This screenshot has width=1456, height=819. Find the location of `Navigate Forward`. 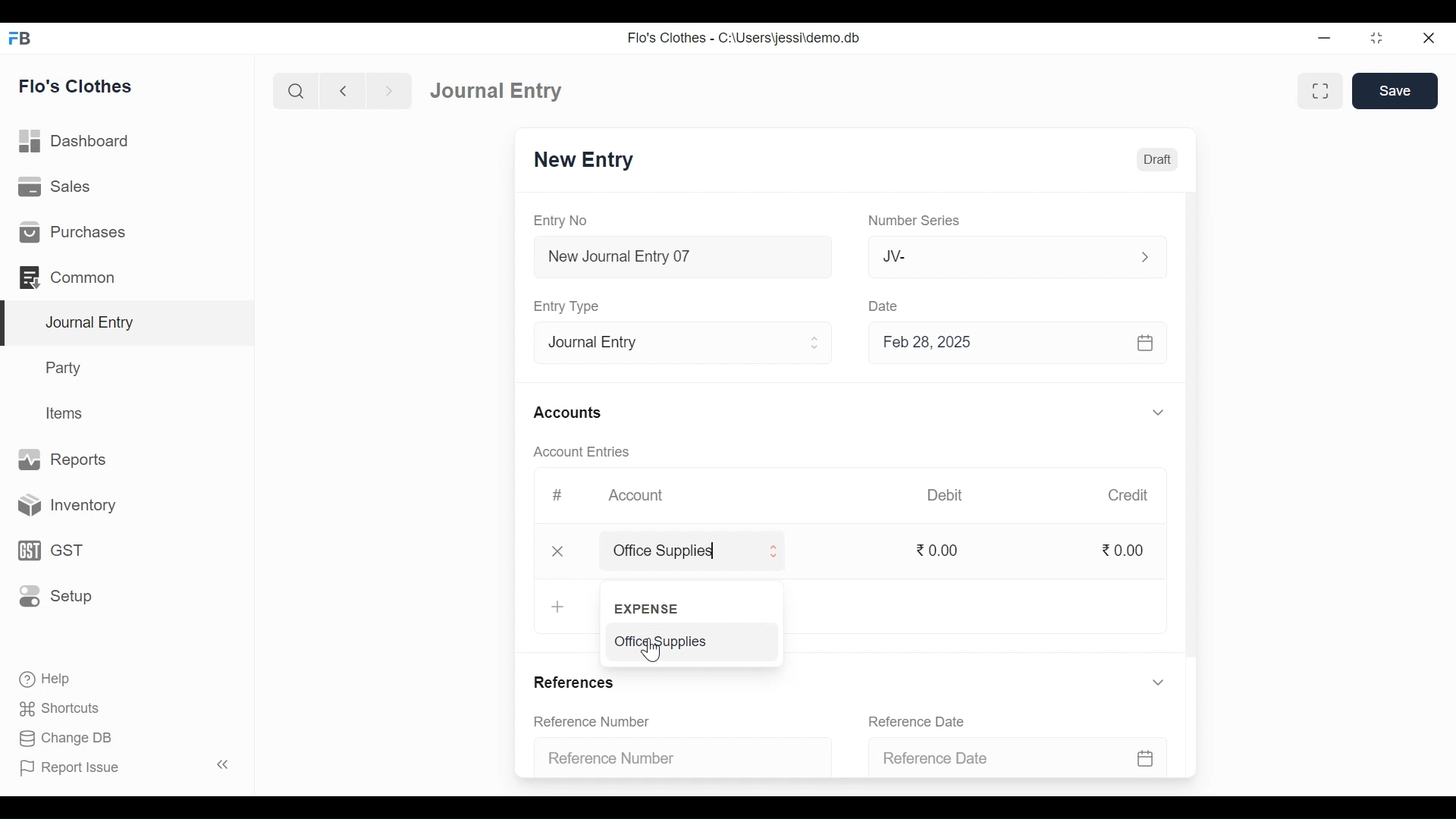

Navigate Forward is located at coordinates (389, 91).